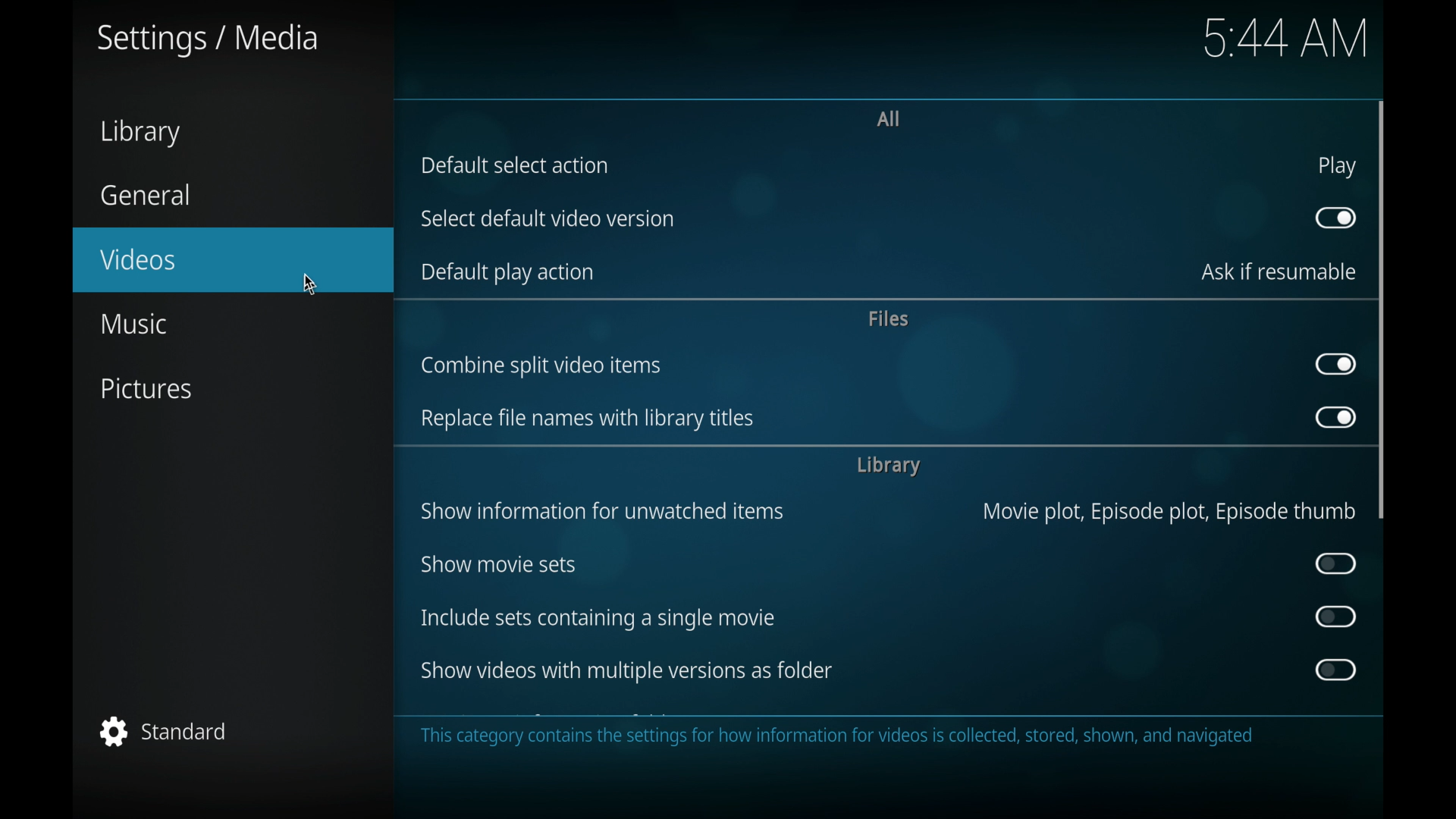 The height and width of the screenshot is (819, 1456). Describe the element at coordinates (310, 281) in the screenshot. I see `cursor` at that location.